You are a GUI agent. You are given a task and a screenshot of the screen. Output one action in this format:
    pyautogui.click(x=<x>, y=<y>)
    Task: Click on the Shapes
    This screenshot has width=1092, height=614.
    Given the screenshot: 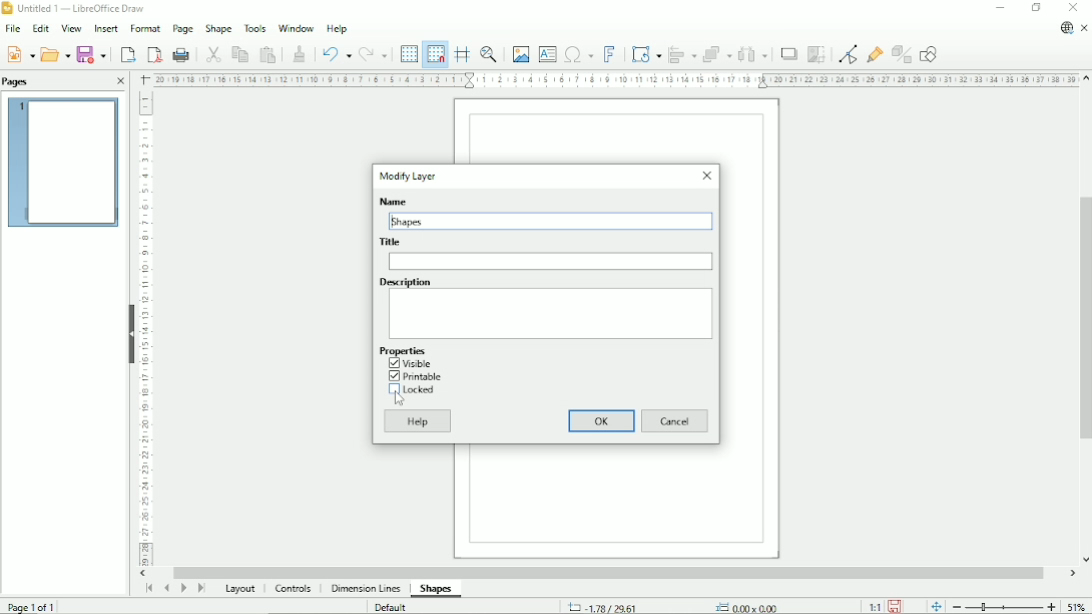 What is the action you would take?
    pyautogui.click(x=436, y=589)
    